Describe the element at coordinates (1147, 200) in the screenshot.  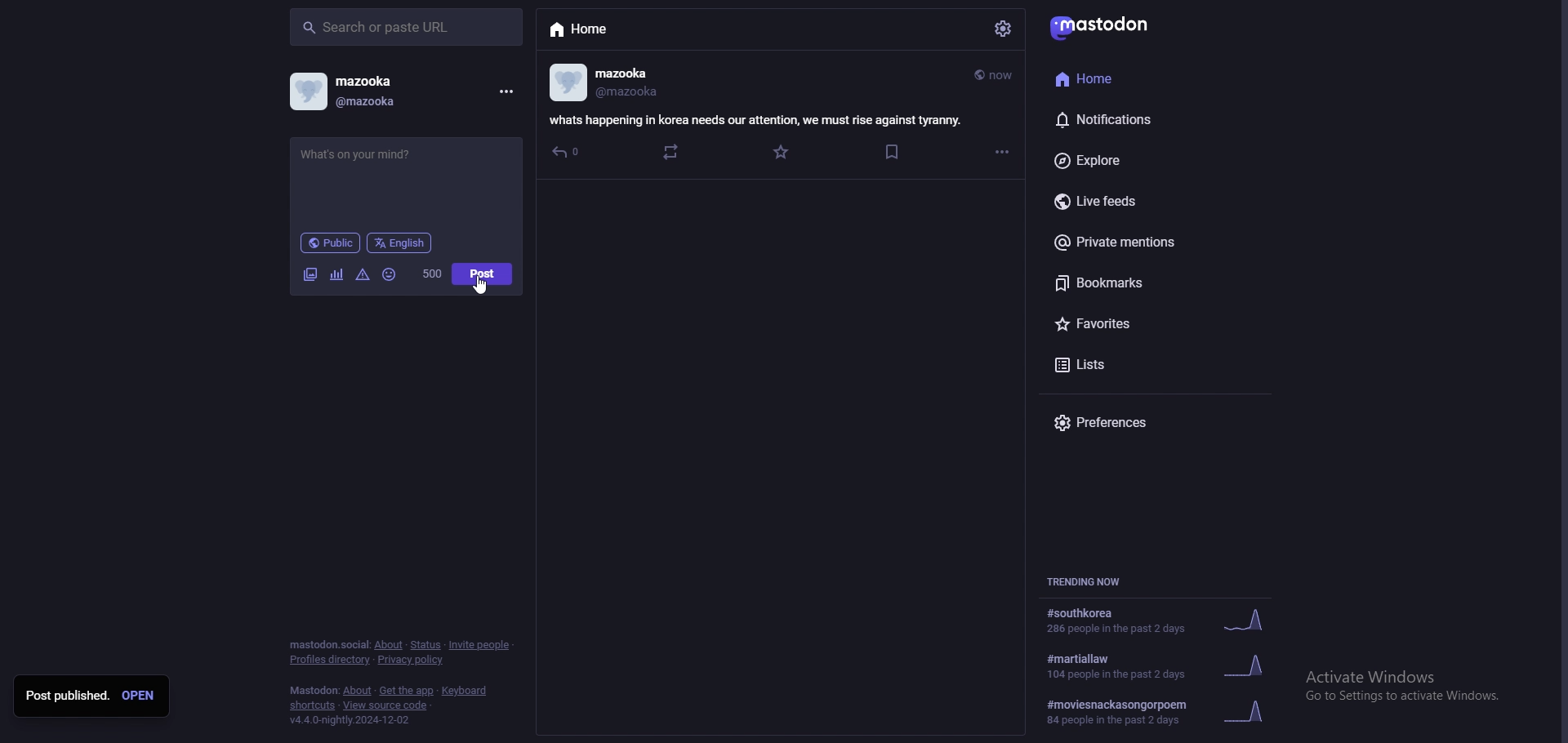
I see `live feeds` at that location.